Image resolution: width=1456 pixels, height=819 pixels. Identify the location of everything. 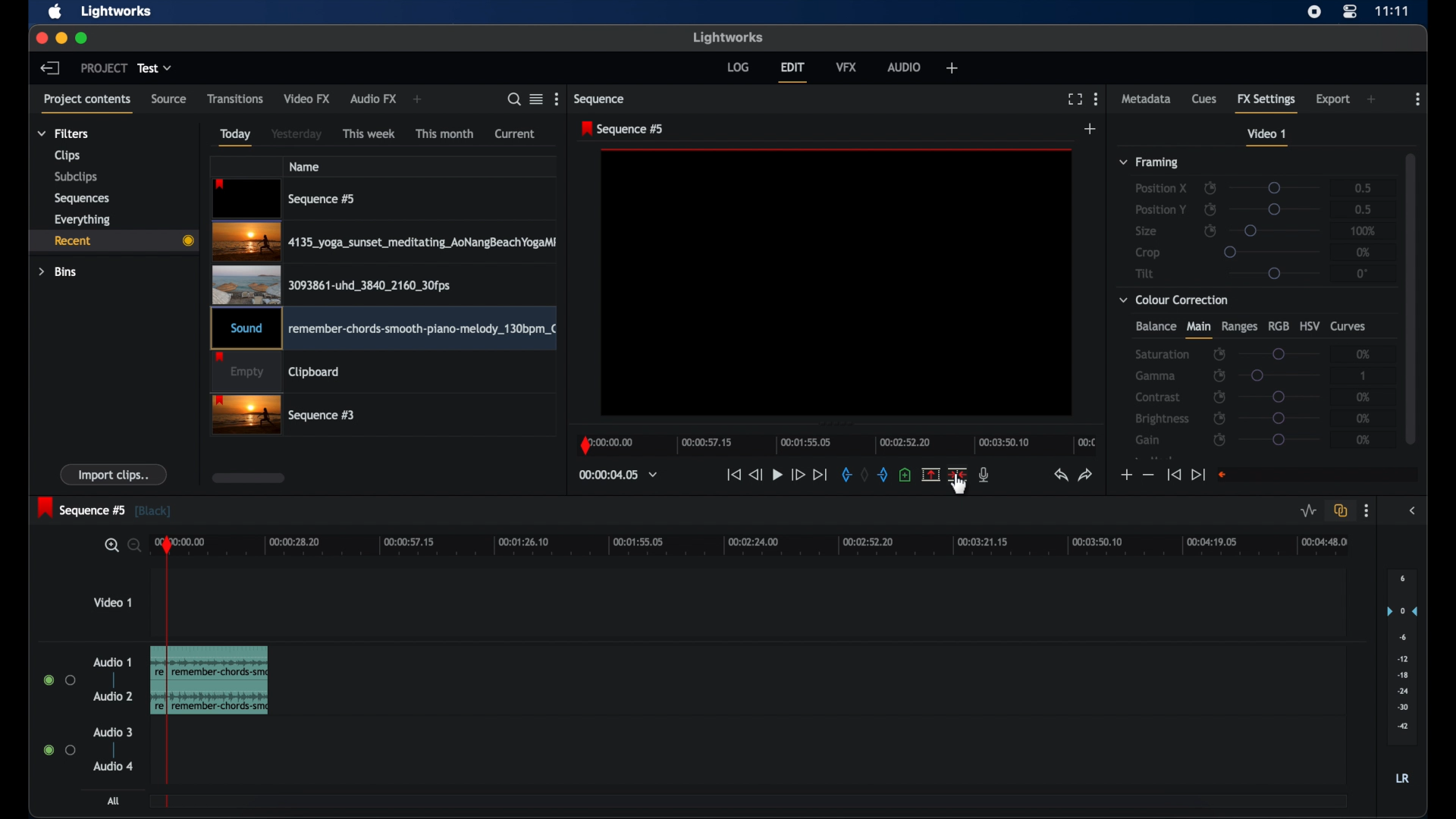
(83, 220).